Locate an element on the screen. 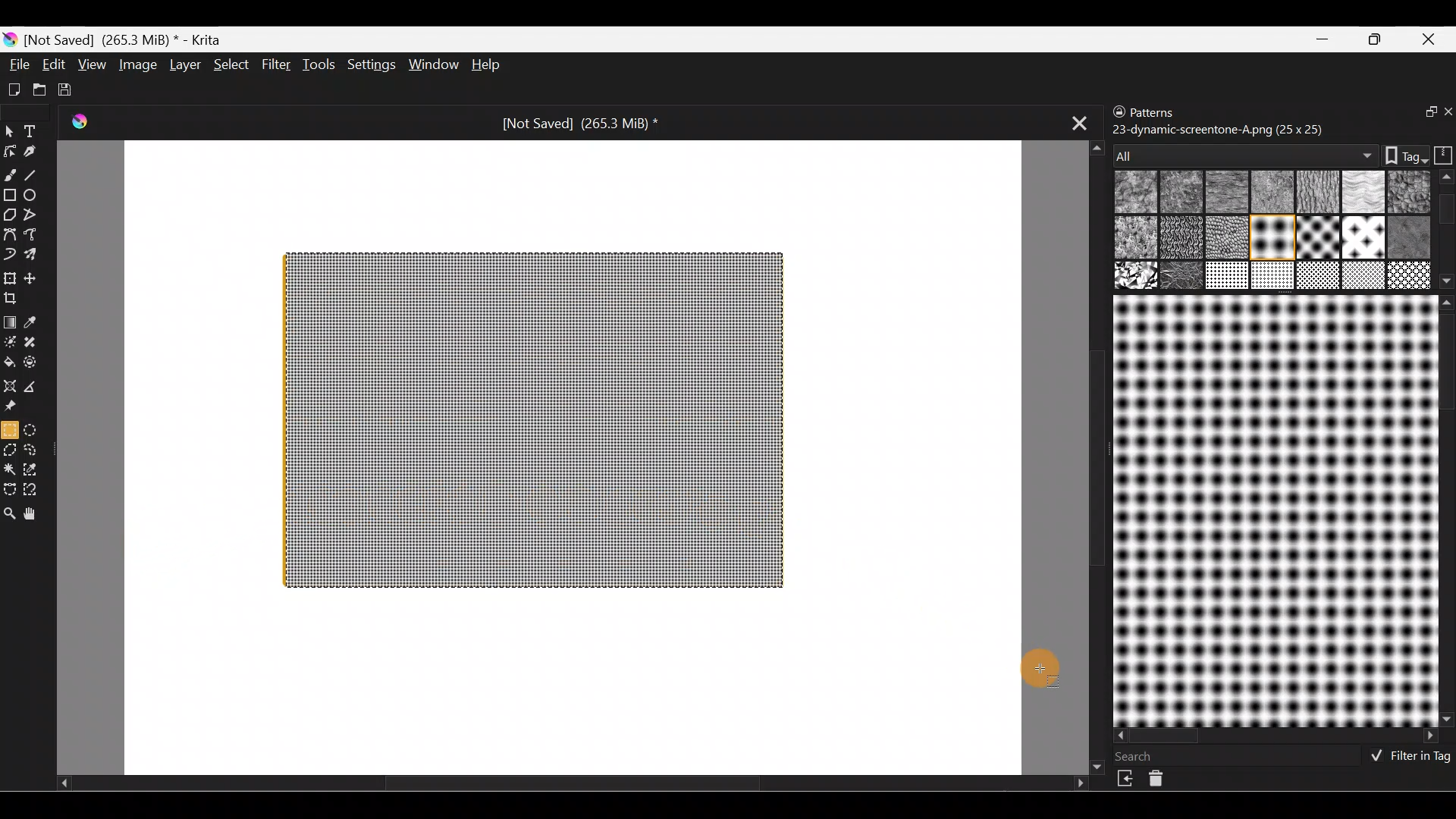 Image resolution: width=1456 pixels, height=819 pixels. Tags is located at coordinates (1398, 154).